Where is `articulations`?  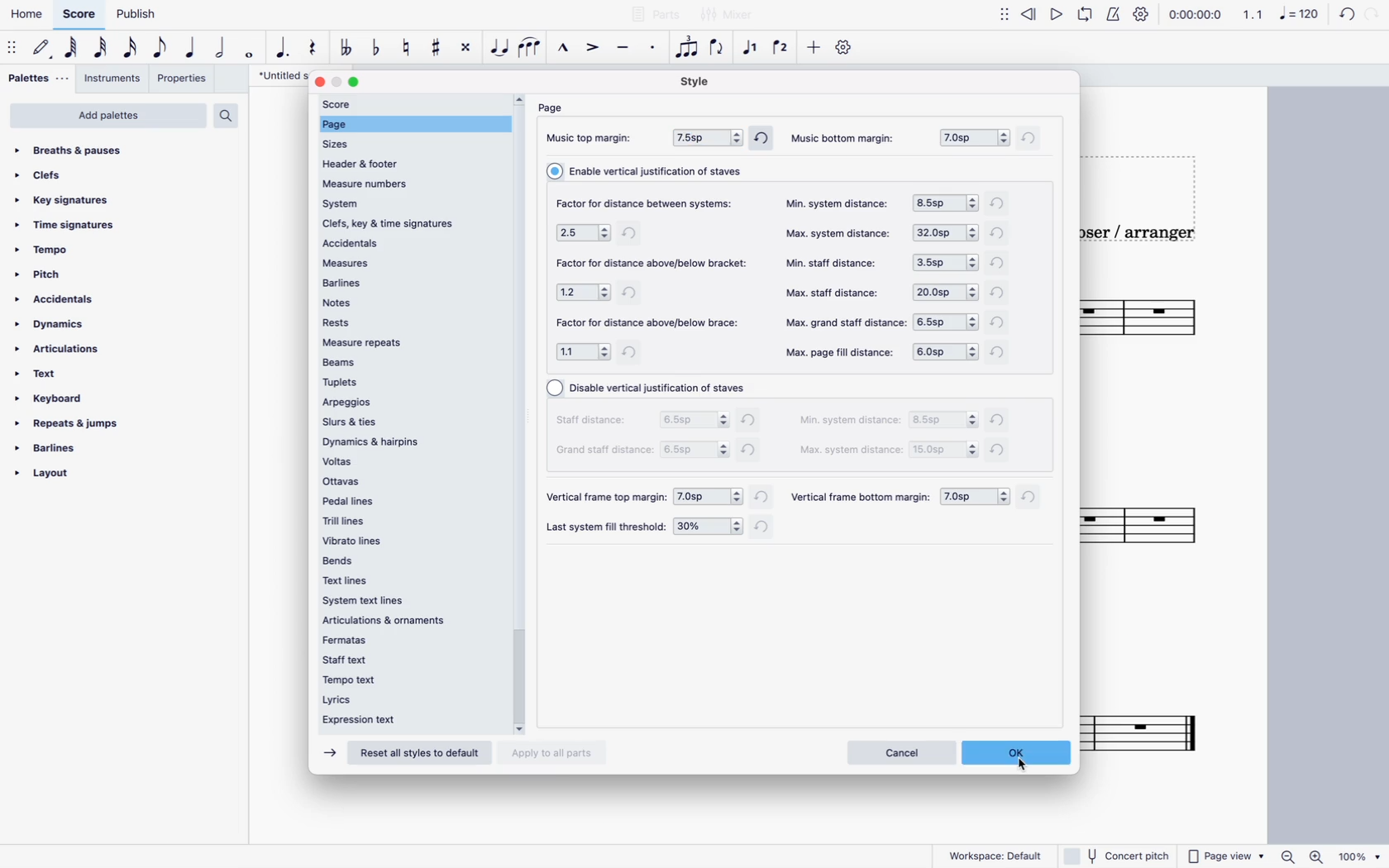 articulations is located at coordinates (60, 350).